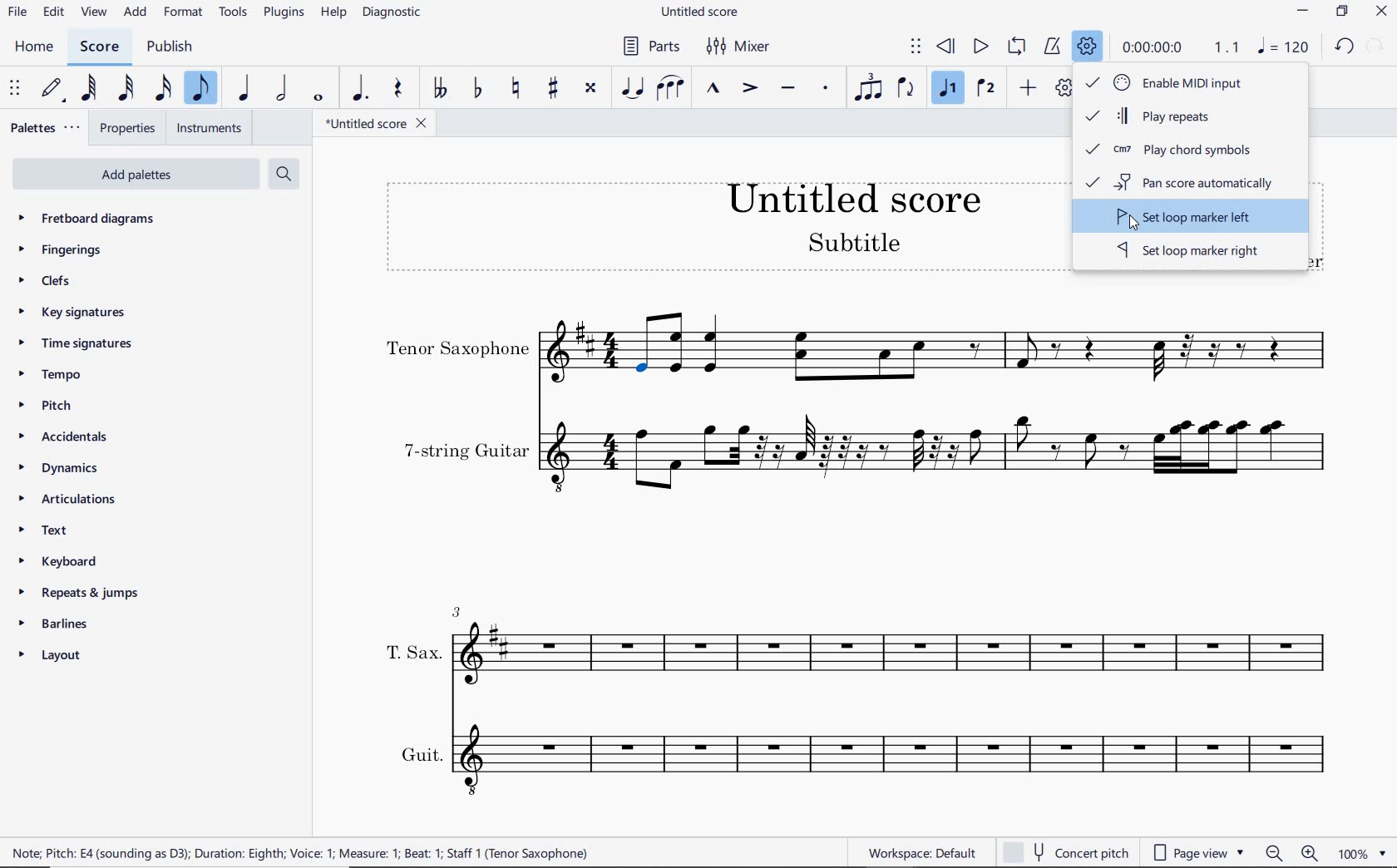 This screenshot has height=868, width=1397. Describe the element at coordinates (1181, 81) in the screenshot. I see `Enable MIDI Input` at that location.